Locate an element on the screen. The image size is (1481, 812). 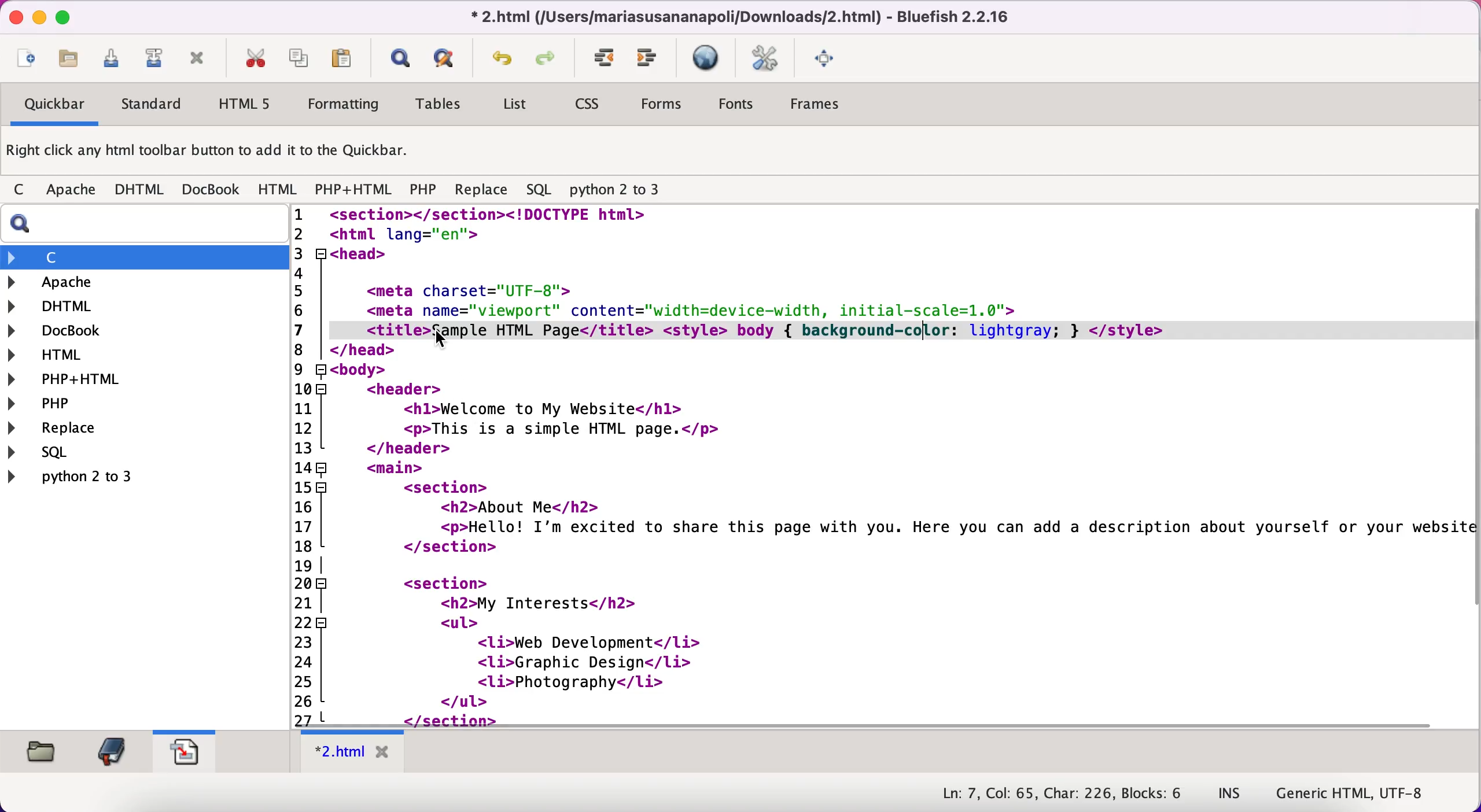
show find bar is located at coordinates (400, 60).